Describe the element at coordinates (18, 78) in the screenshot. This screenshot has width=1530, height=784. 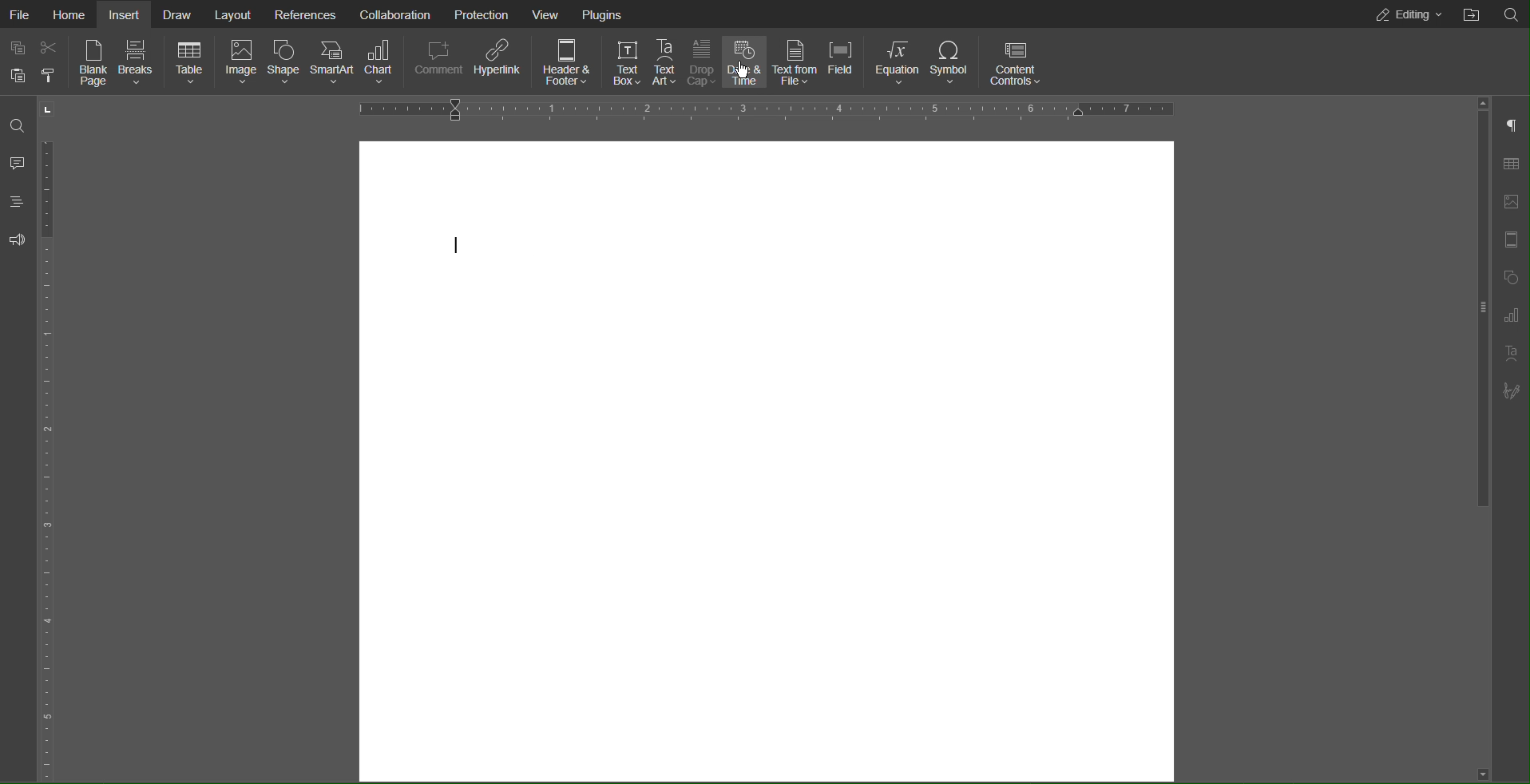
I see `Paste` at that location.